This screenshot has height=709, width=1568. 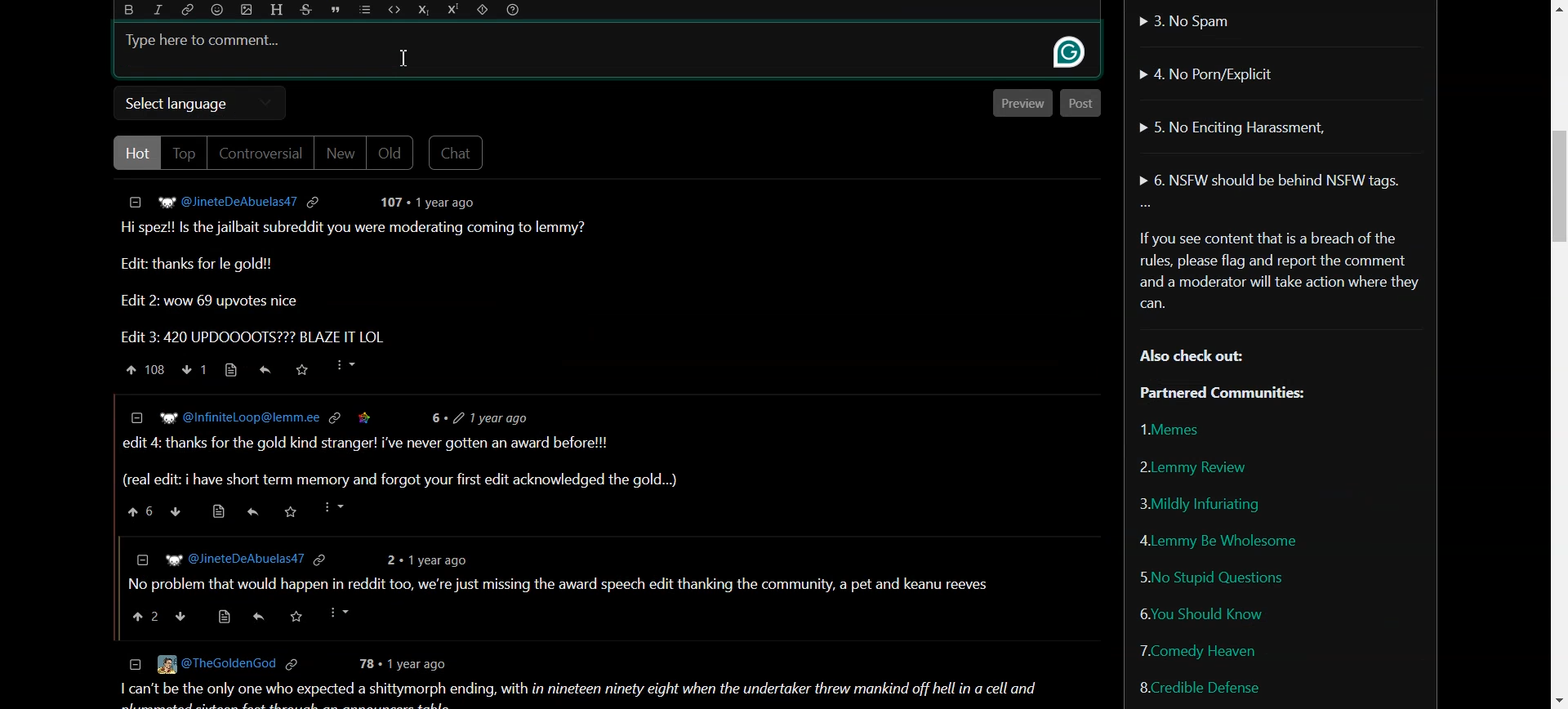 I want to click on NSFW should be behind NSFW tags, so click(x=1271, y=177).